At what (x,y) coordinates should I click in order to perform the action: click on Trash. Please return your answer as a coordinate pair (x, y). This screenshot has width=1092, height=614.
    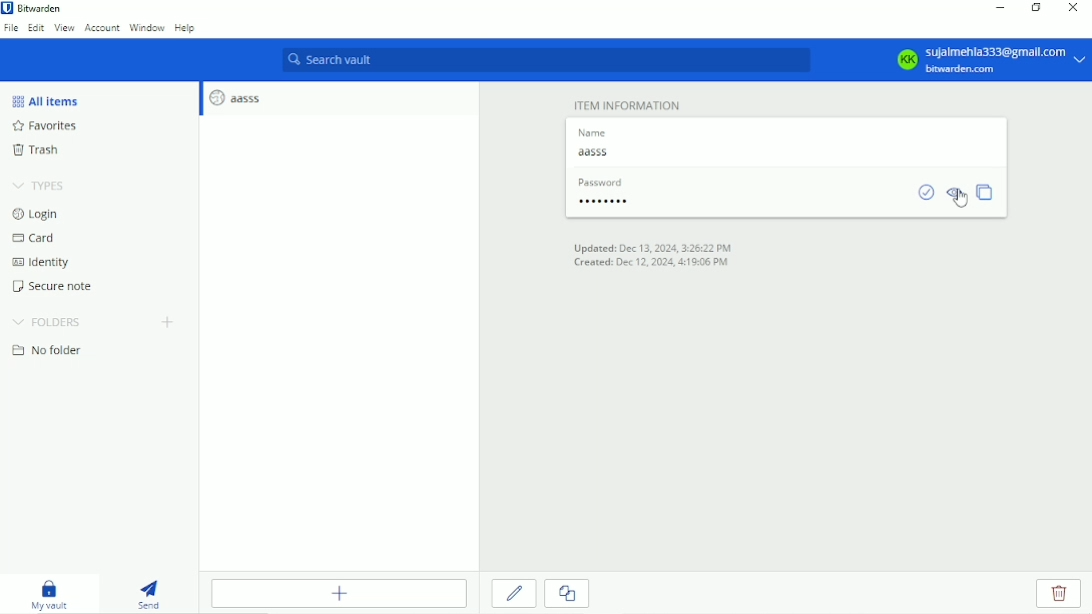
    Looking at the image, I should click on (39, 150).